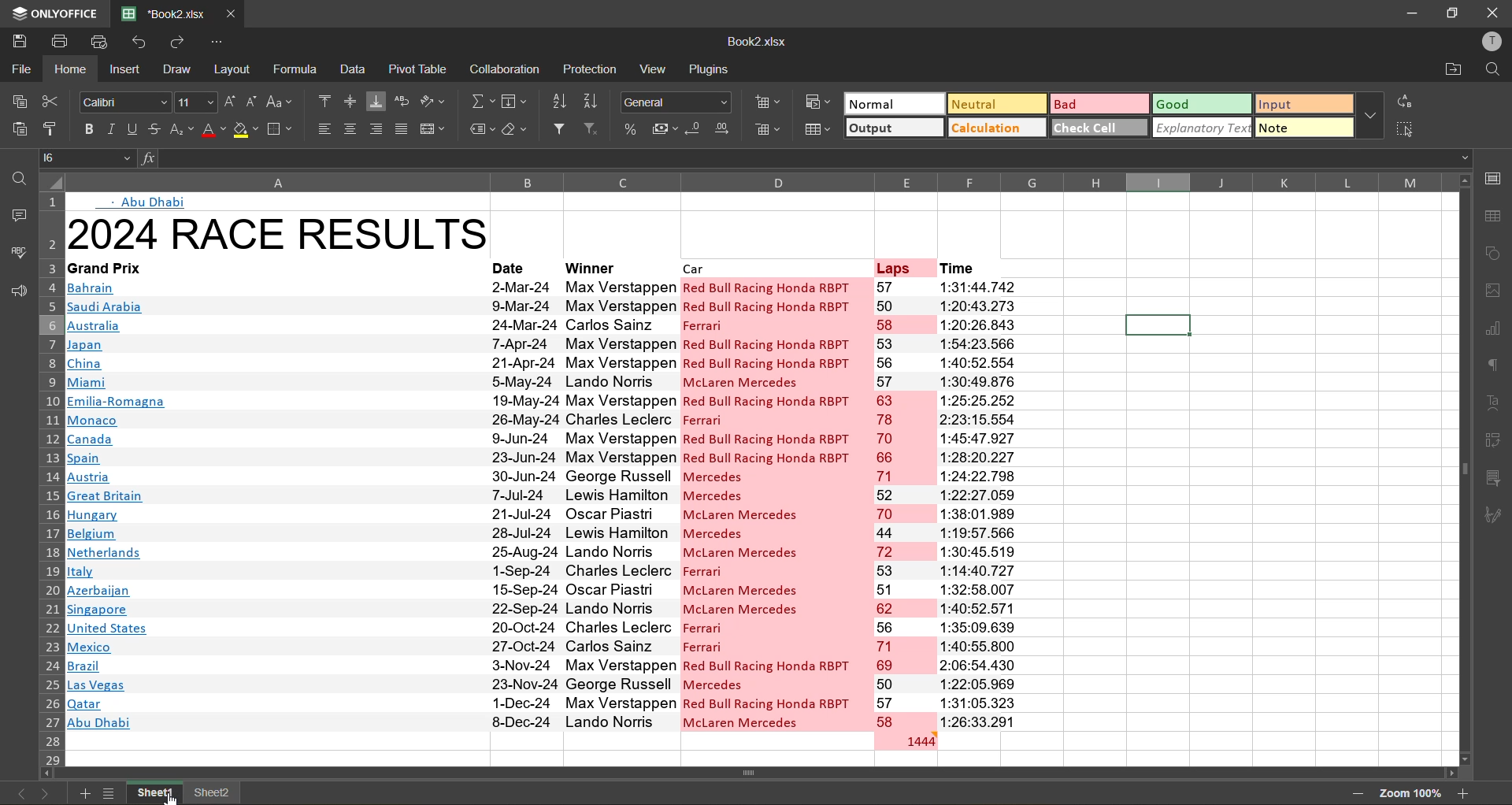  I want to click on formula, so click(295, 69).